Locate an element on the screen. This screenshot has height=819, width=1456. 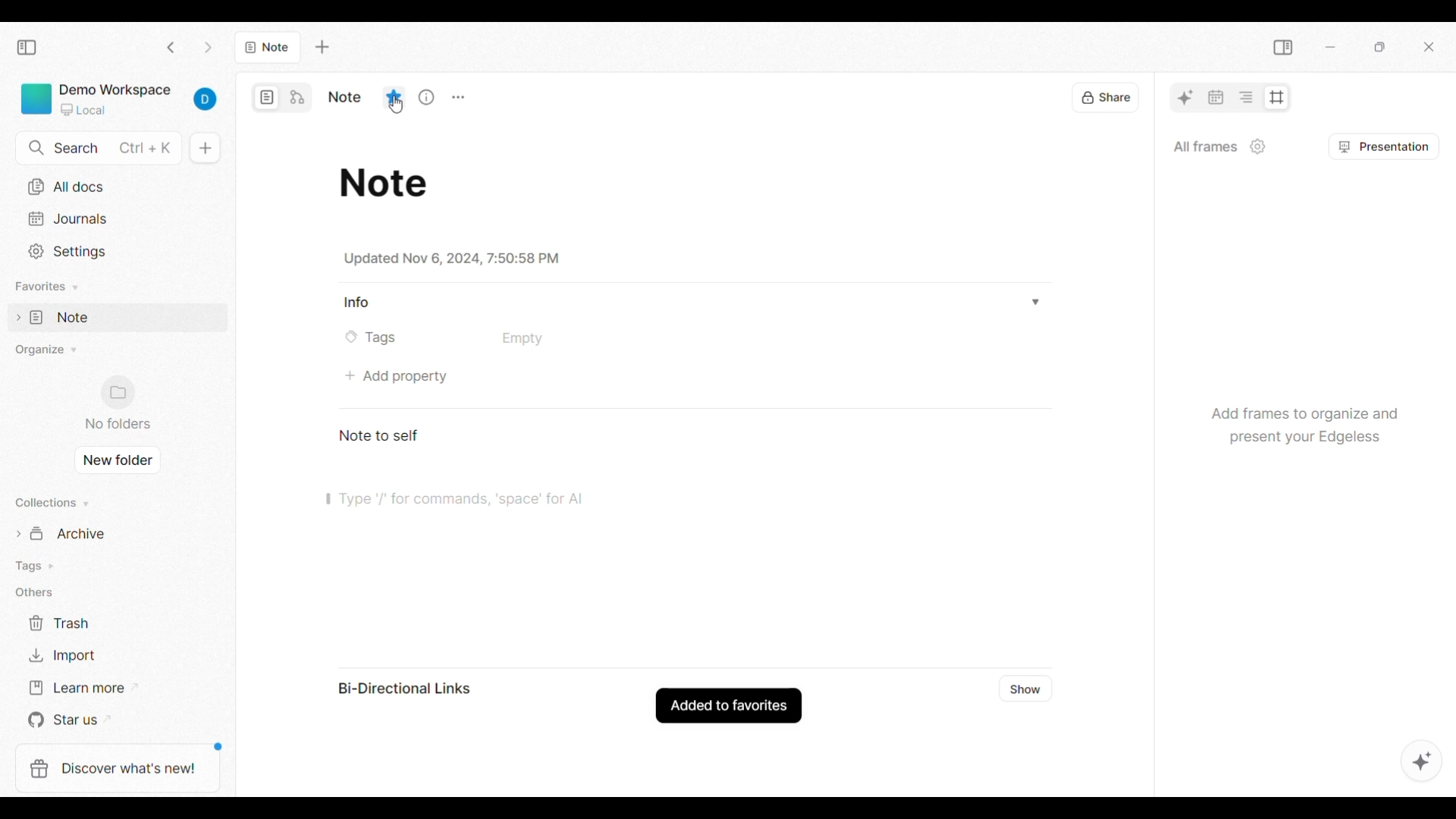
All frames is located at coordinates (1205, 146).